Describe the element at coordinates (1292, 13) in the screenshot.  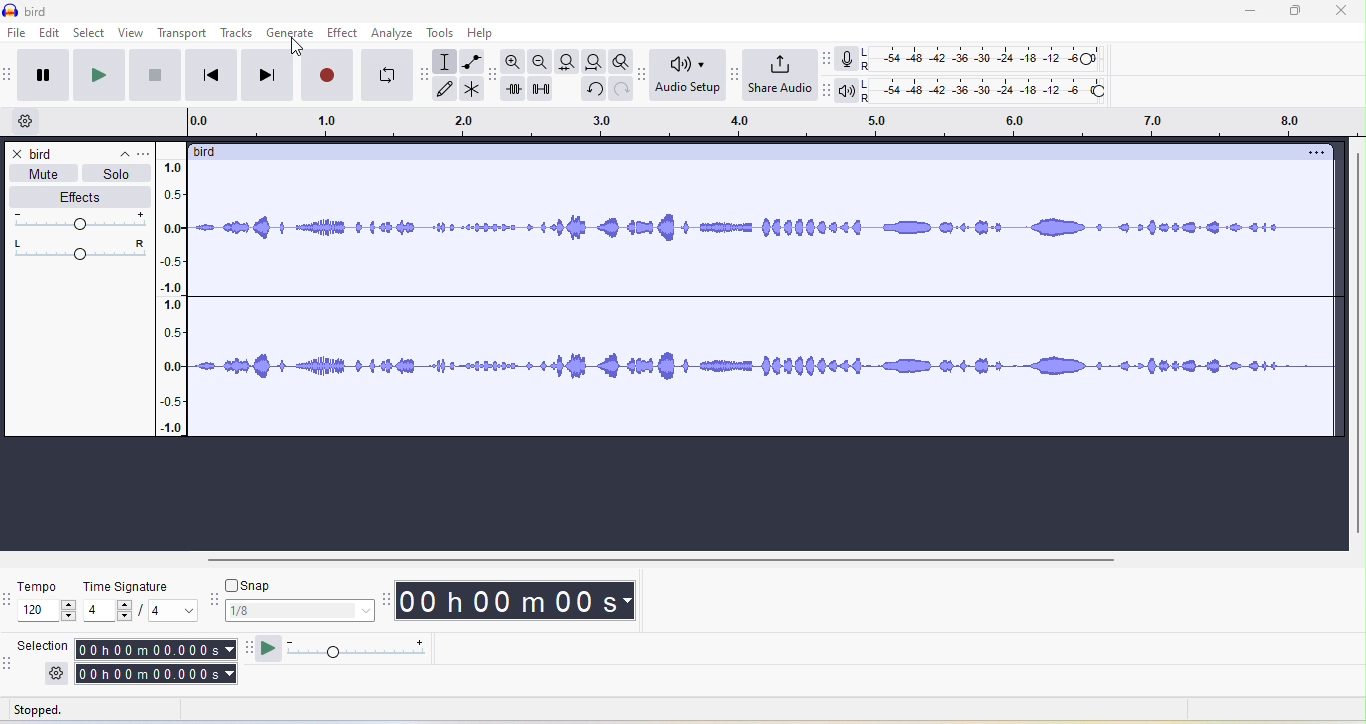
I see `maximize` at that location.